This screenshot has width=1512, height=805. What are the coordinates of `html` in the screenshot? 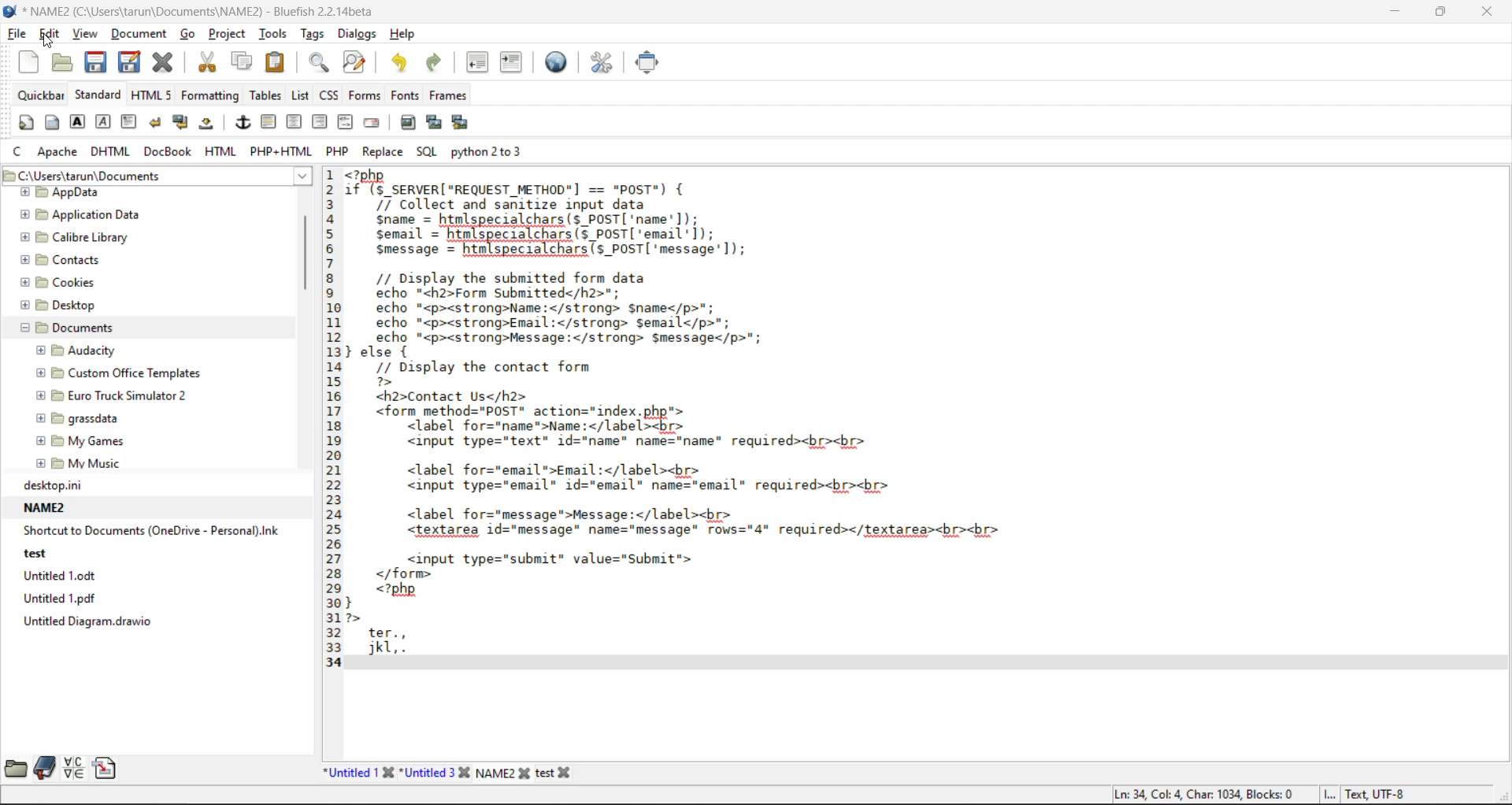 It's located at (220, 152).